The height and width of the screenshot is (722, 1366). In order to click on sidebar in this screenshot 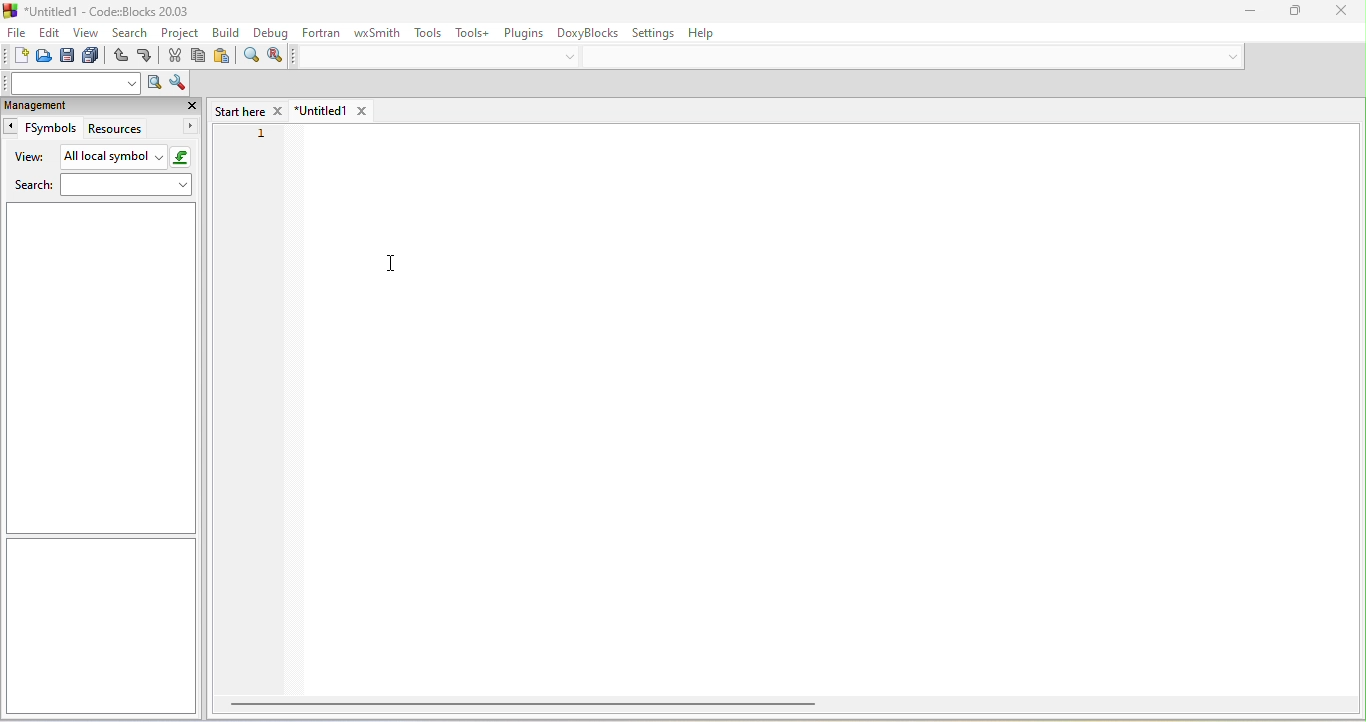, I will do `click(101, 626)`.